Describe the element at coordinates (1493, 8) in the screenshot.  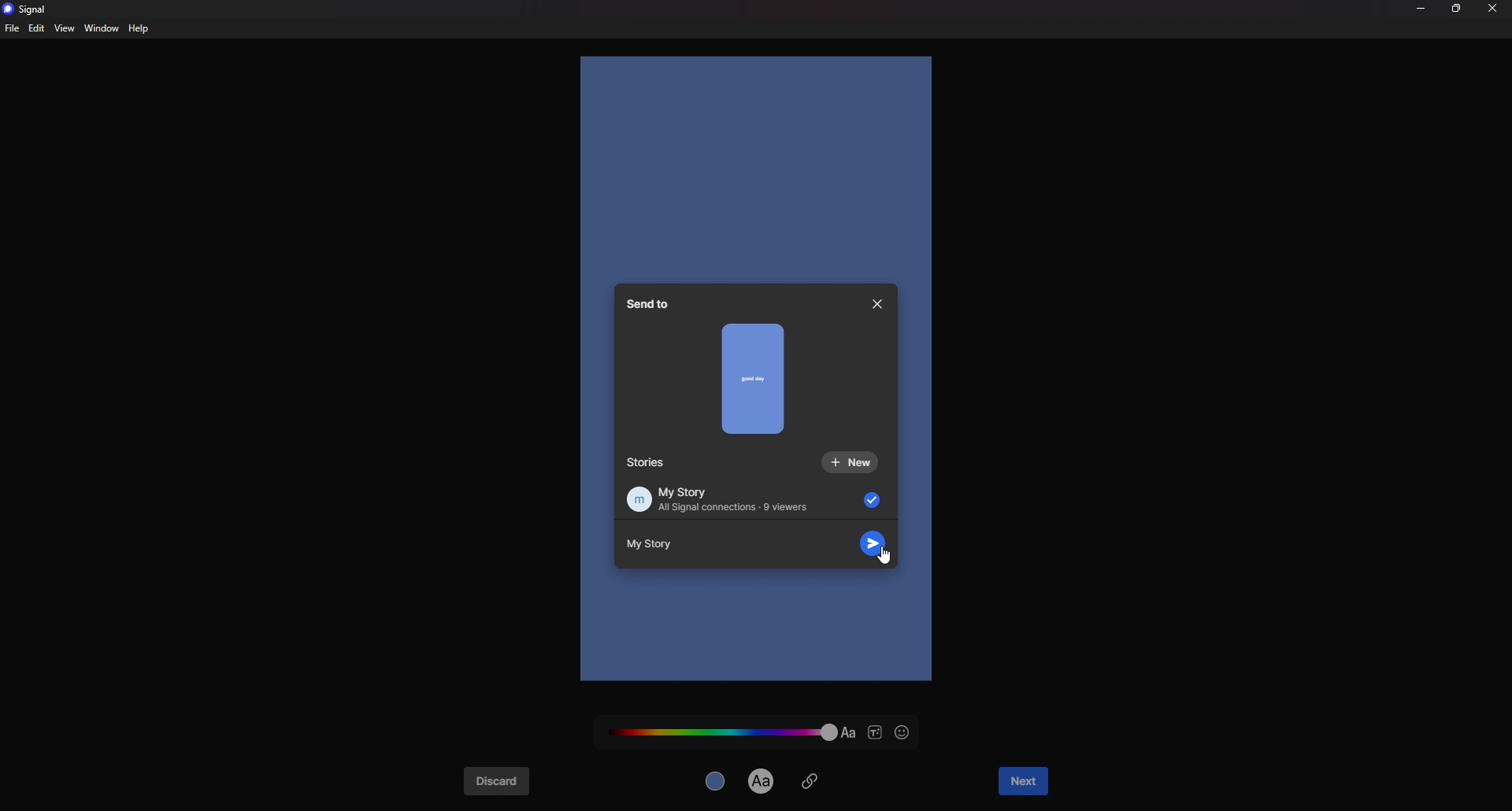
I see `close` at that location.